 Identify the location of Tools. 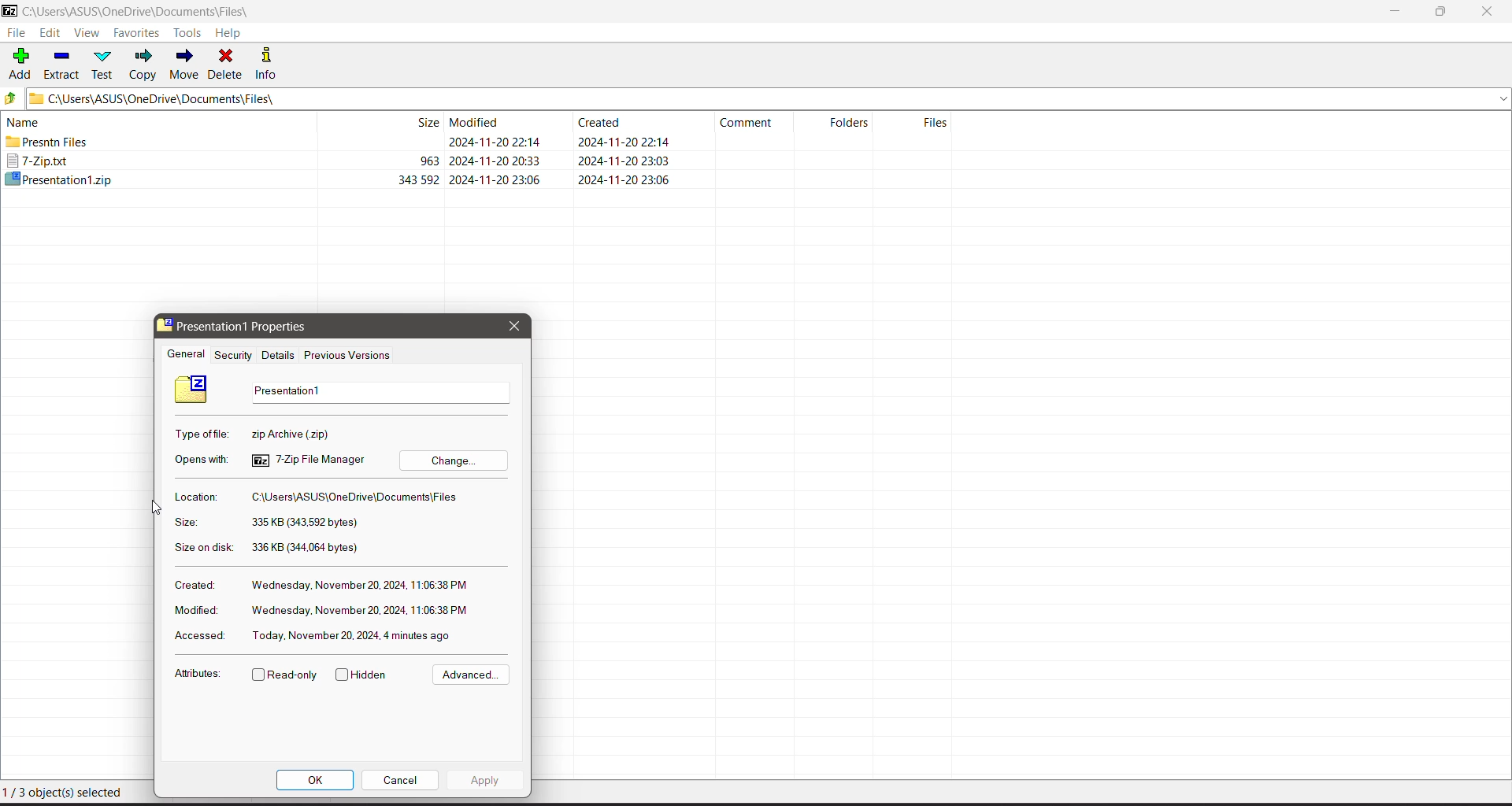
(190, 32).